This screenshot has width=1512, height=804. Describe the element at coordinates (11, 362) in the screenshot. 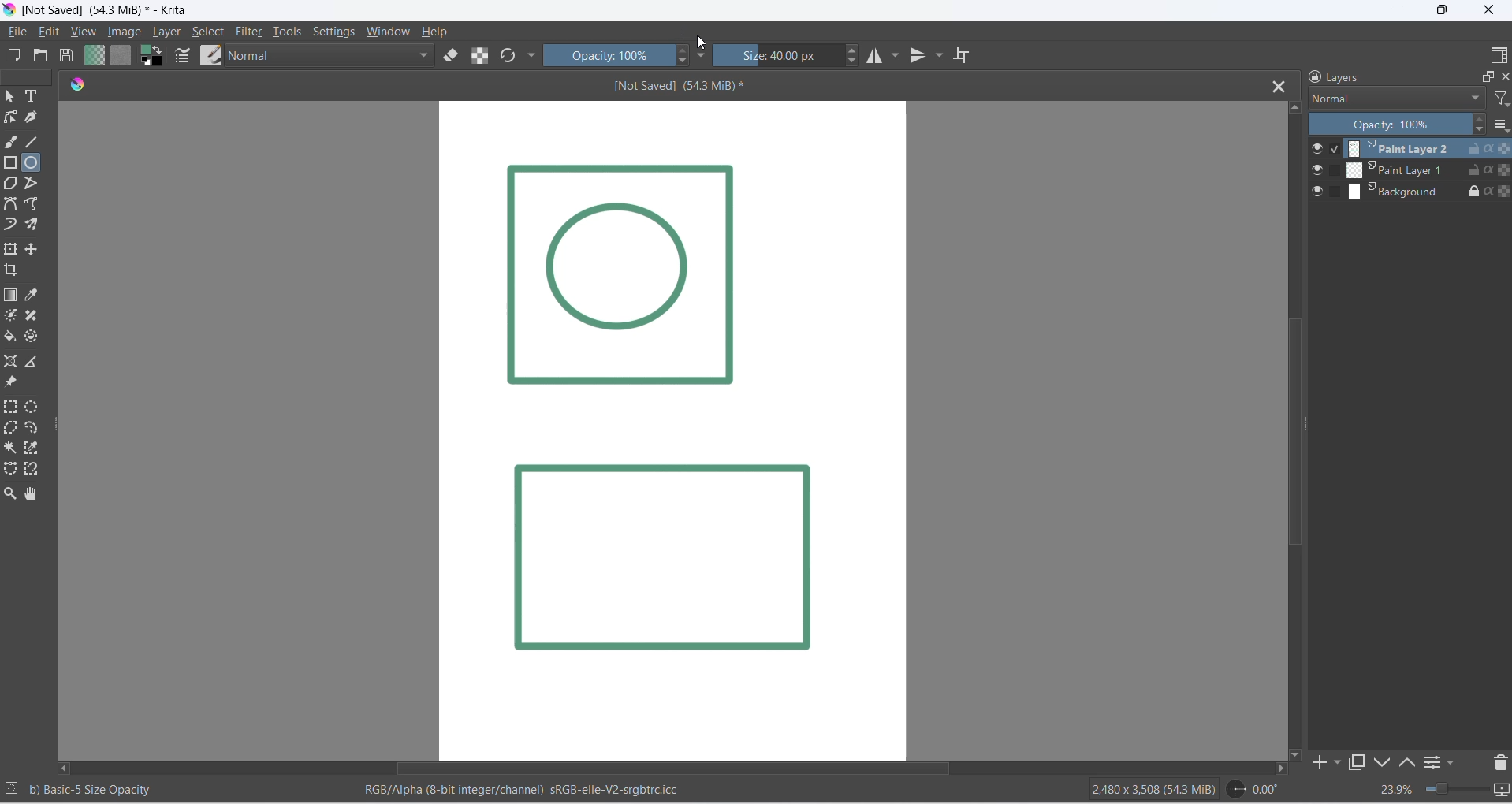

I see `assistant tool` at that location.